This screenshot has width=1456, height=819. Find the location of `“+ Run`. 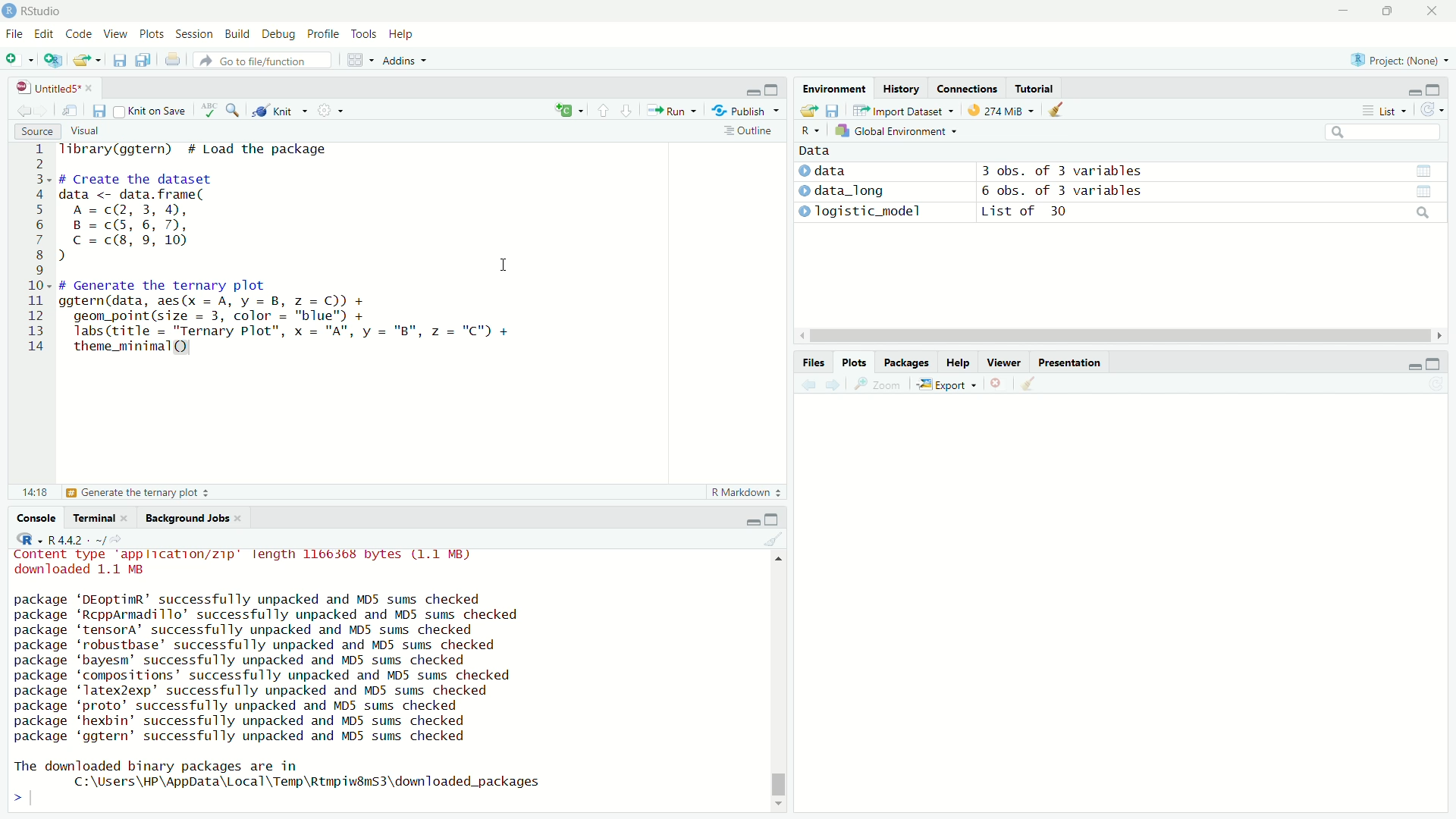

“+ Run is located at coordinates (676, 111).